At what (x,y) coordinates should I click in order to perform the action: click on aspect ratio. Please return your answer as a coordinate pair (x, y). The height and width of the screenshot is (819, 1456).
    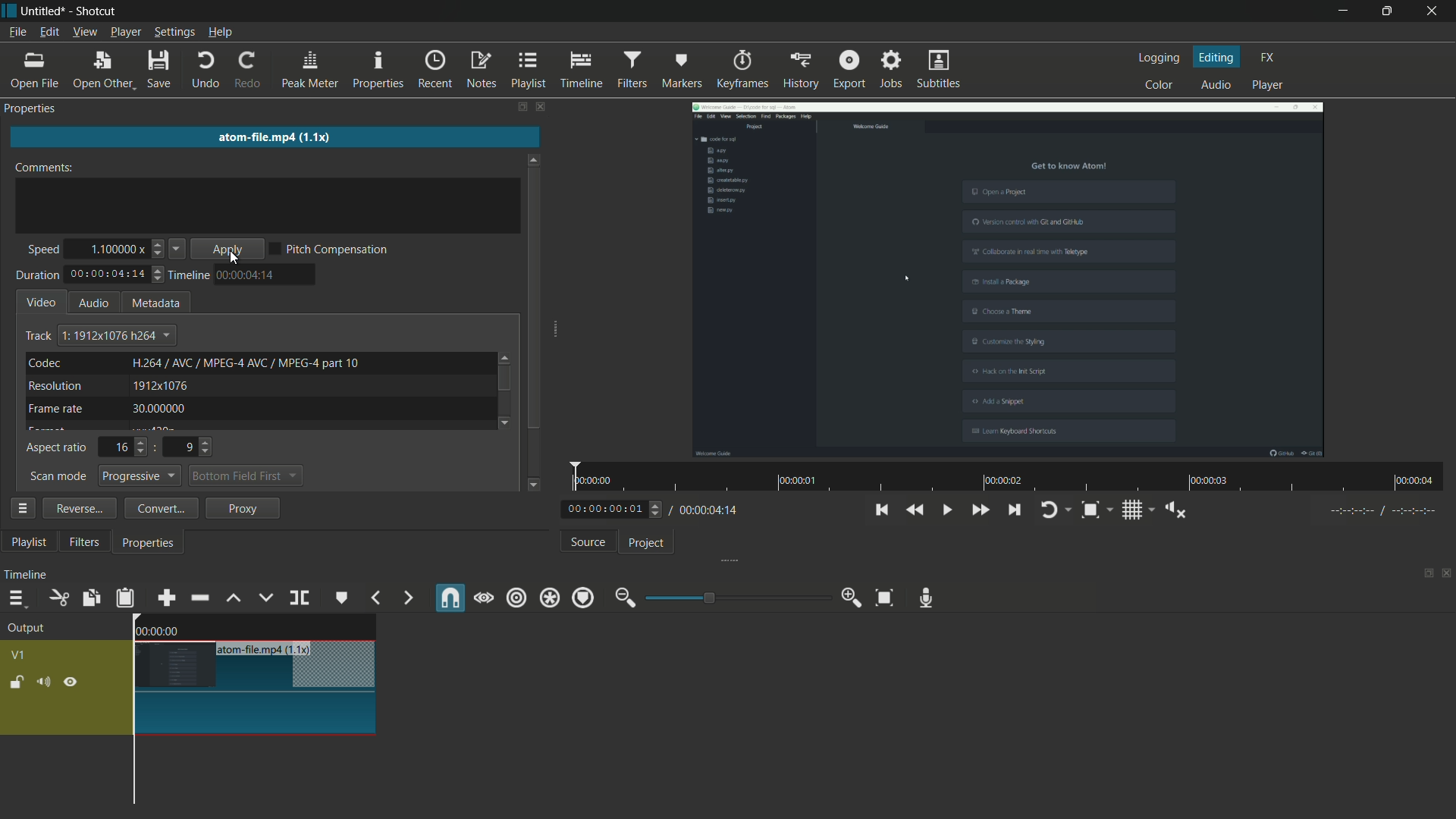
    Looking at the image, I should click on (58, 449).